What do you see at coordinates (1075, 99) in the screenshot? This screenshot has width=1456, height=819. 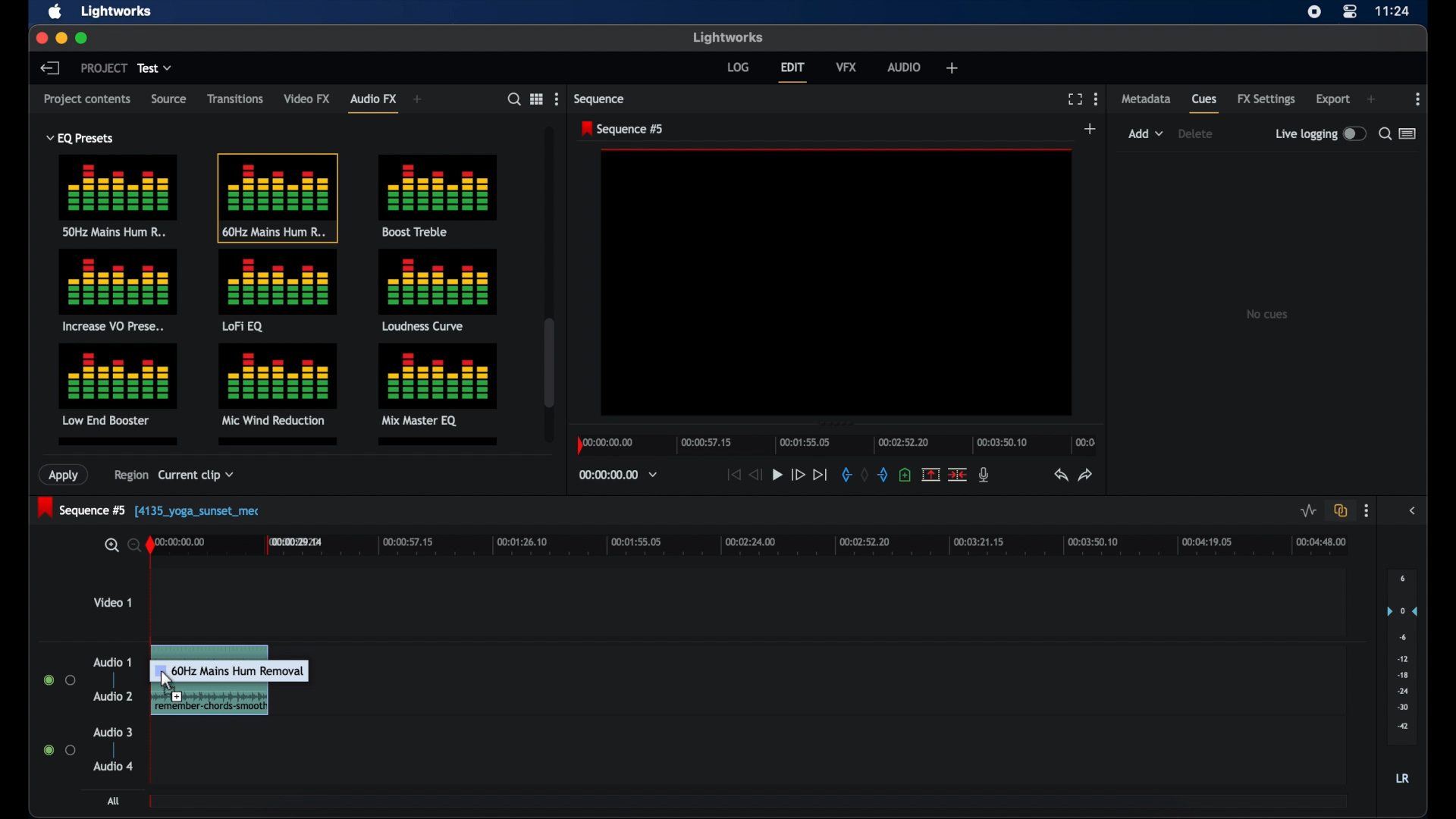 I see `full screen` at bounding box center [1075, 99].